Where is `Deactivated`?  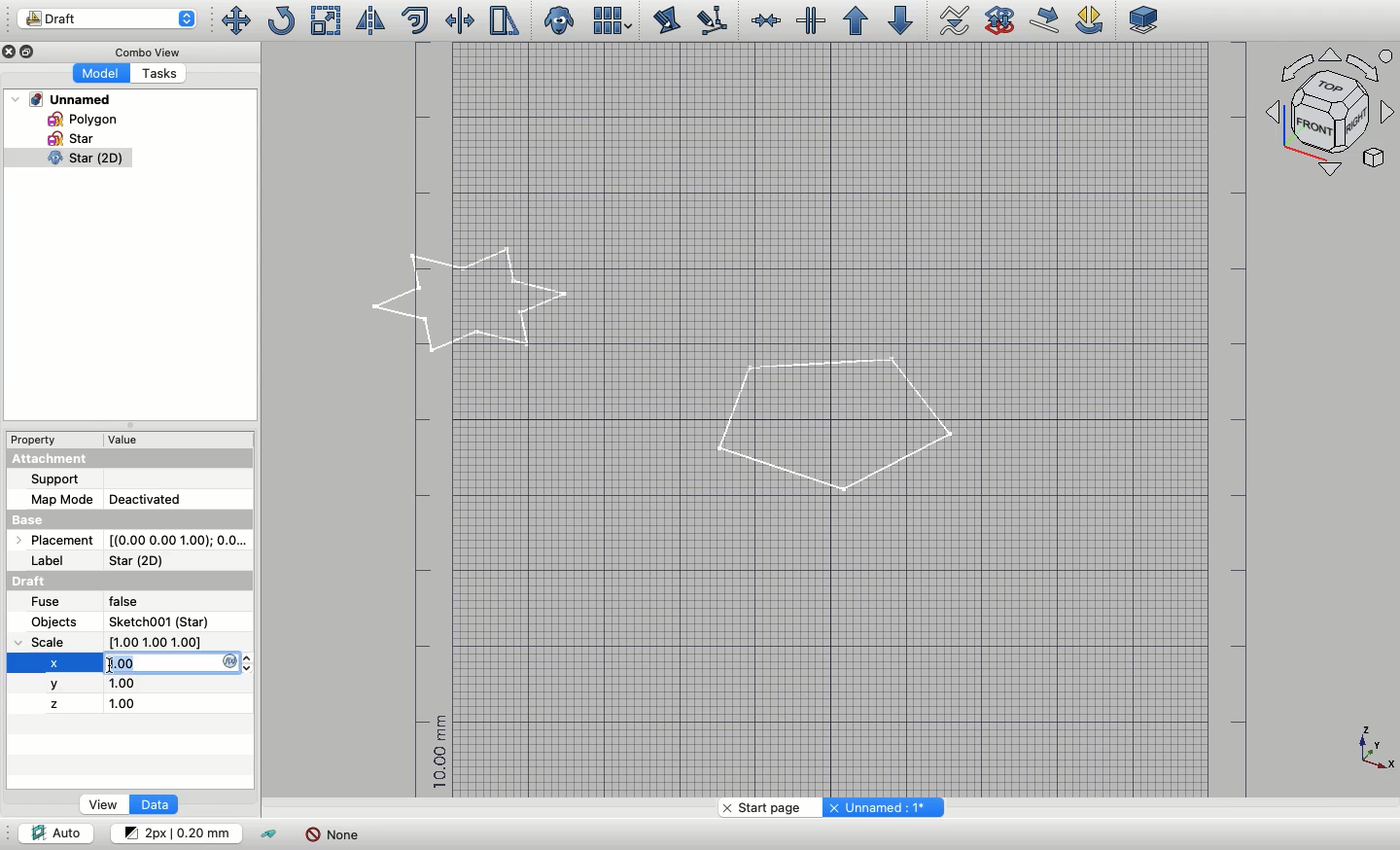
Deactivated is located at coordinates (162, 497).